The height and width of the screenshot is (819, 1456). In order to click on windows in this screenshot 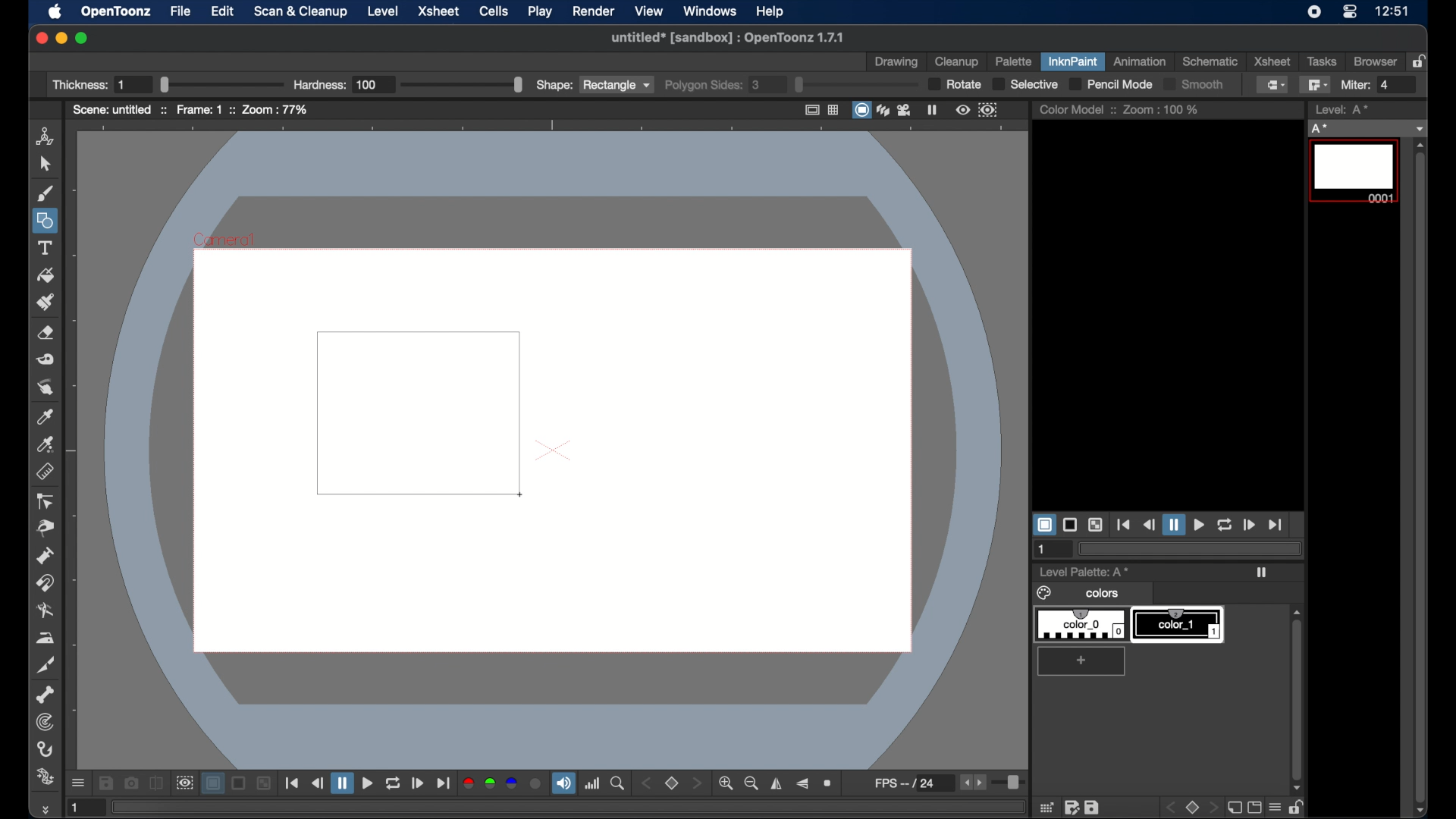, I will do `click(710, 11)`.